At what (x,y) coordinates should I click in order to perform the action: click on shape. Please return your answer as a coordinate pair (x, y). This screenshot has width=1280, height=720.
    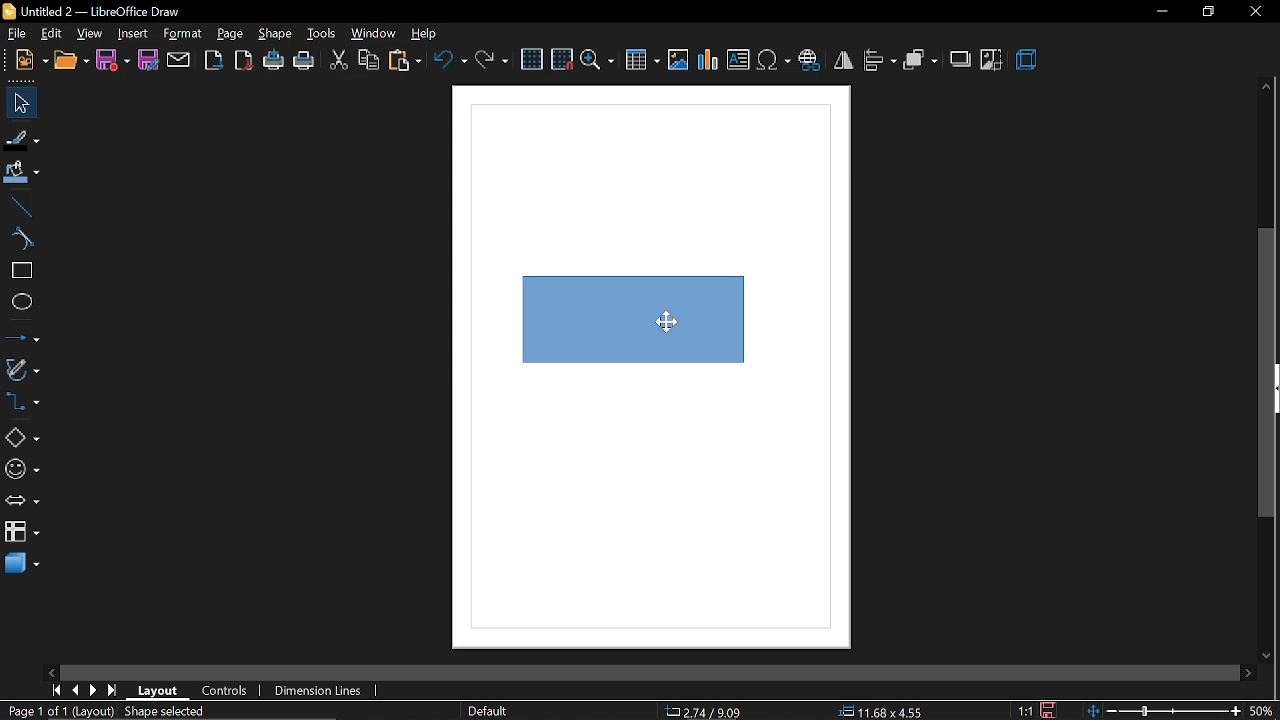
    Looking at the image, I should click on (277, 33).